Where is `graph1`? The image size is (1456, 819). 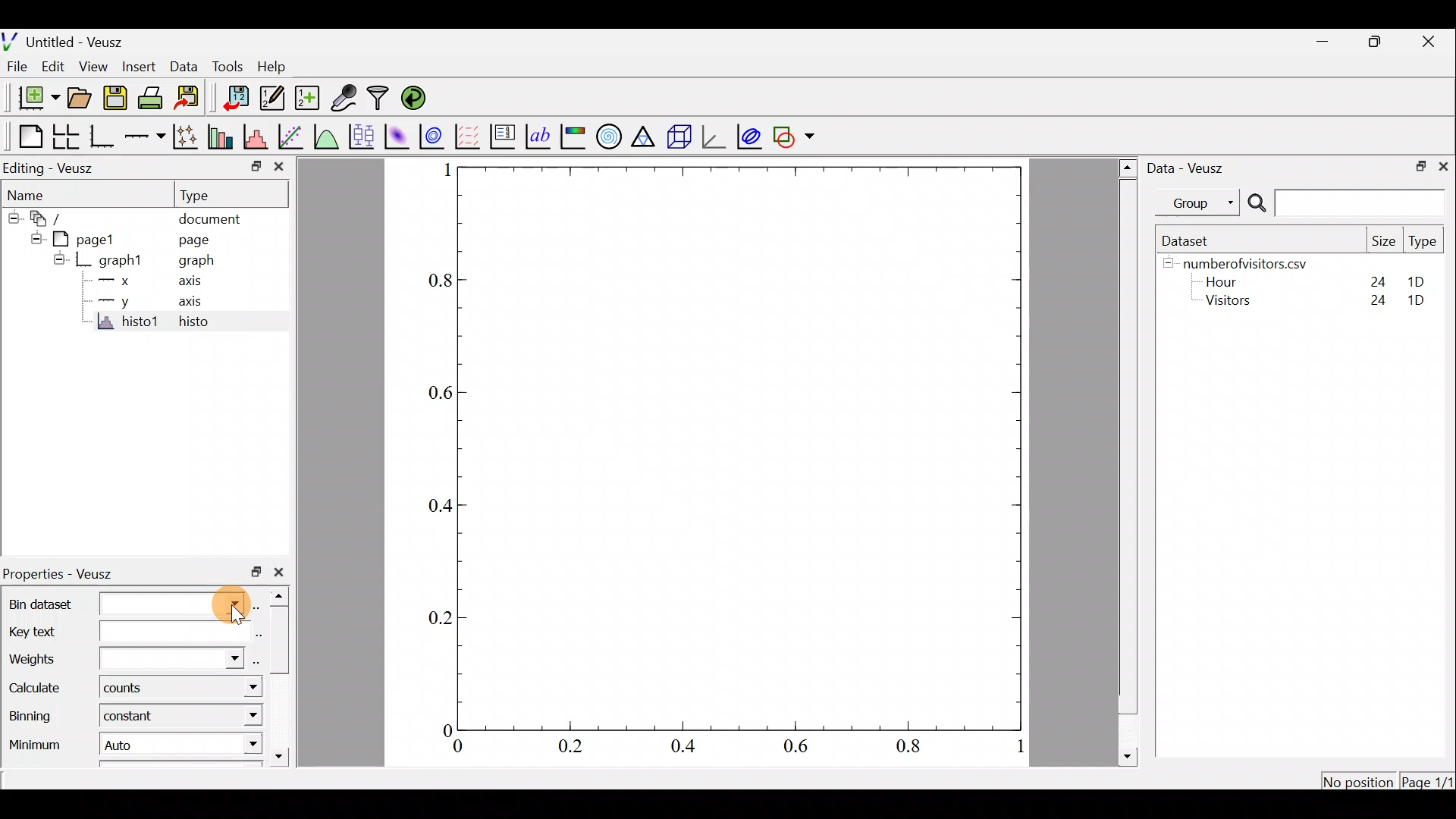 graph1 is located at coordinates (122, 259).